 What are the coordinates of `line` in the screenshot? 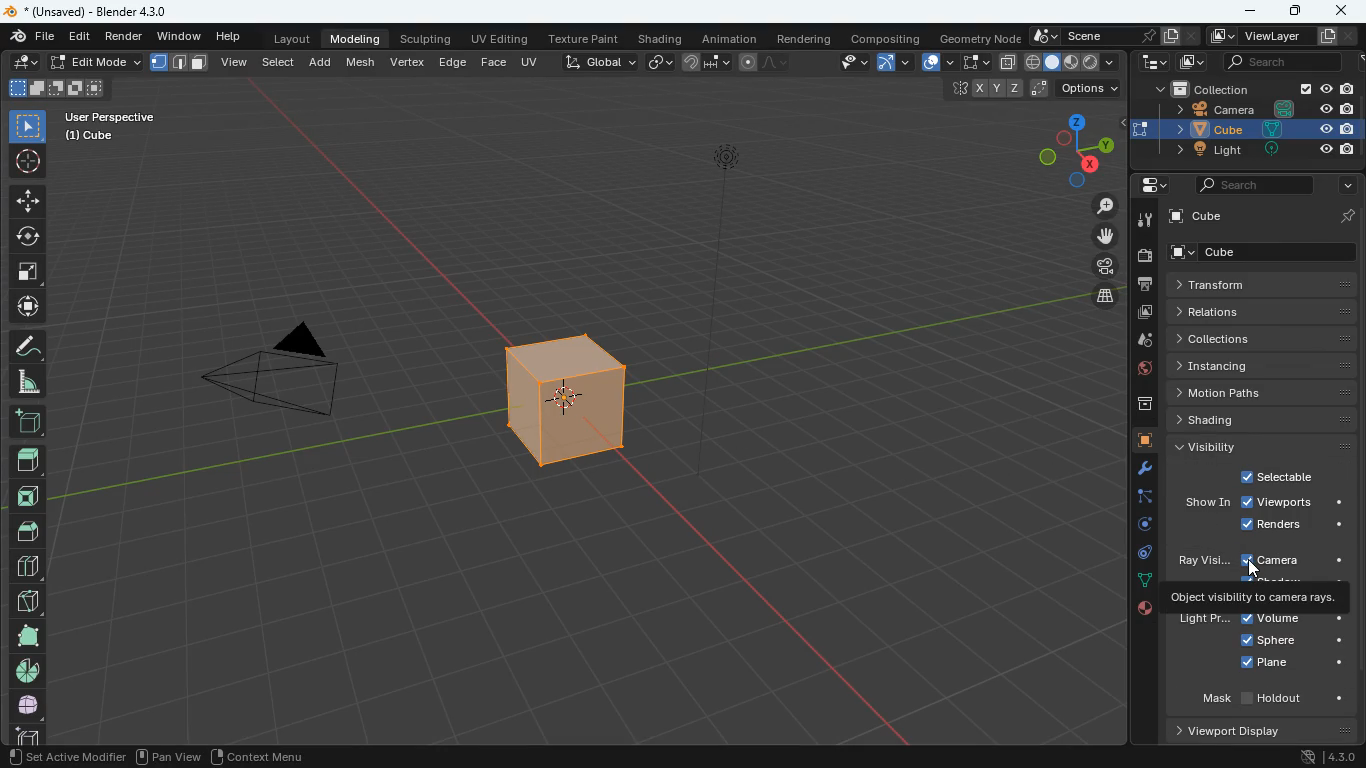 It's located at (769, 63).